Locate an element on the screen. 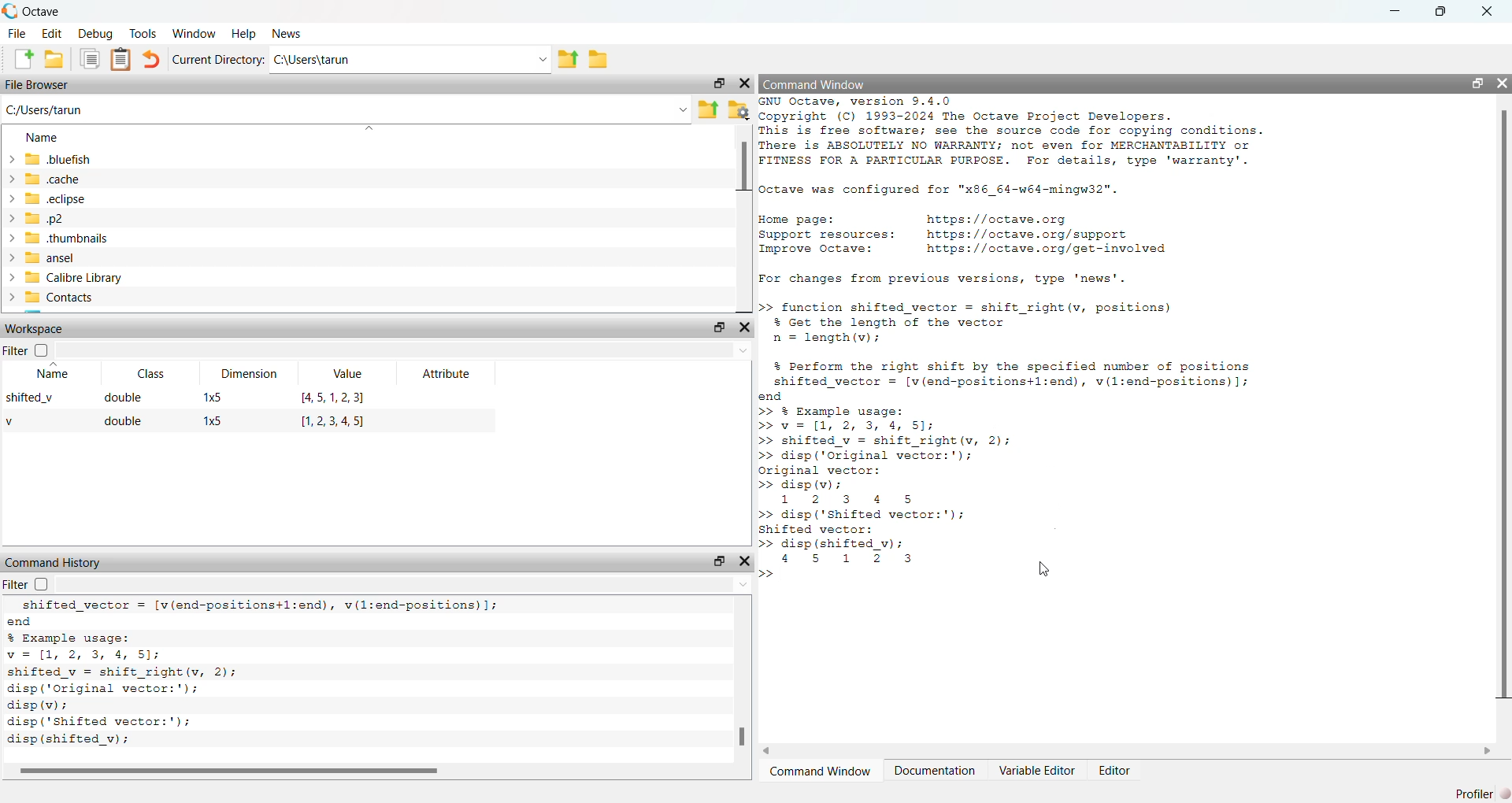 This screenshot has width=1512, height=803. hide widget is located at coordinates (747, 83).